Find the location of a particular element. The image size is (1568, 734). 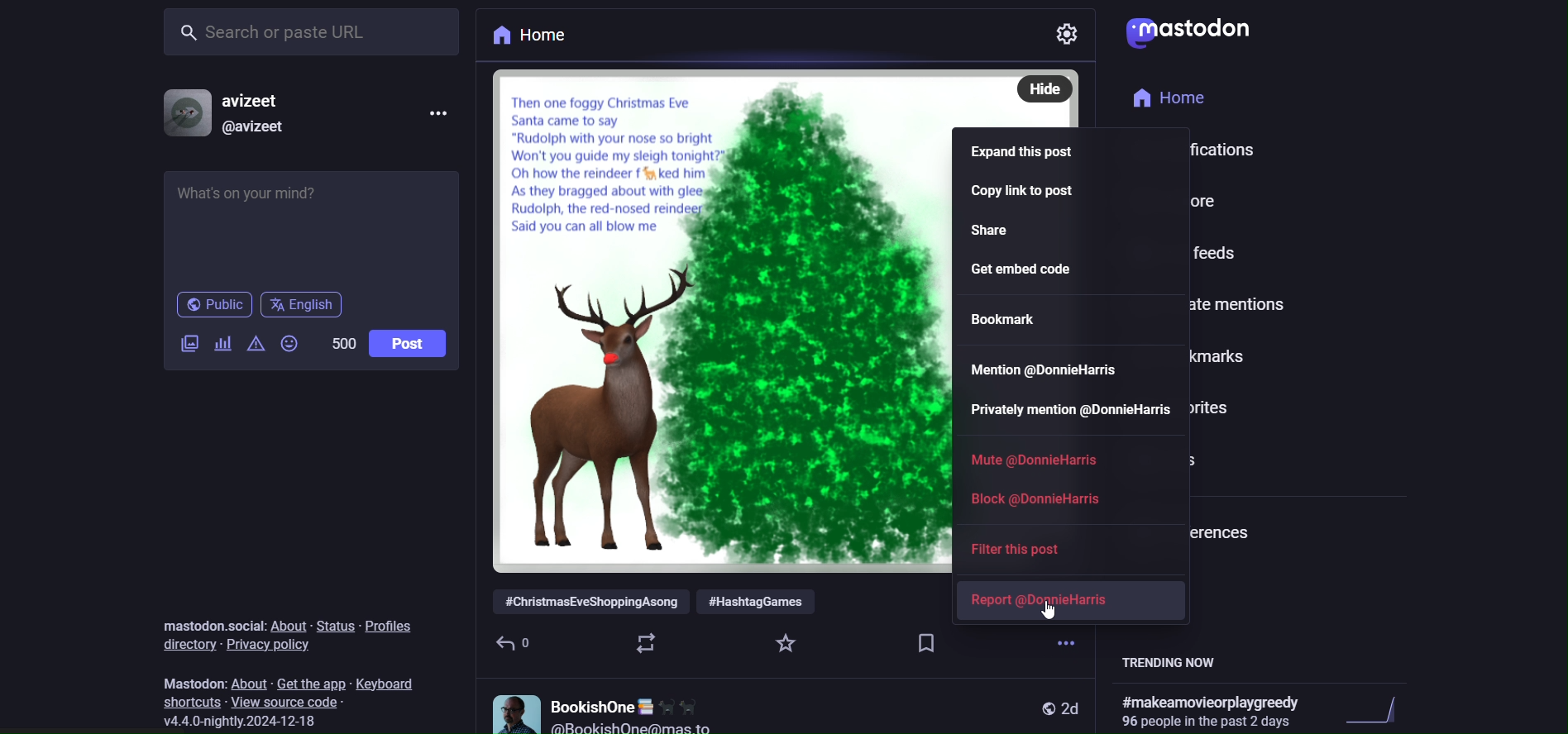

report is located at coordinates (1054, 598).